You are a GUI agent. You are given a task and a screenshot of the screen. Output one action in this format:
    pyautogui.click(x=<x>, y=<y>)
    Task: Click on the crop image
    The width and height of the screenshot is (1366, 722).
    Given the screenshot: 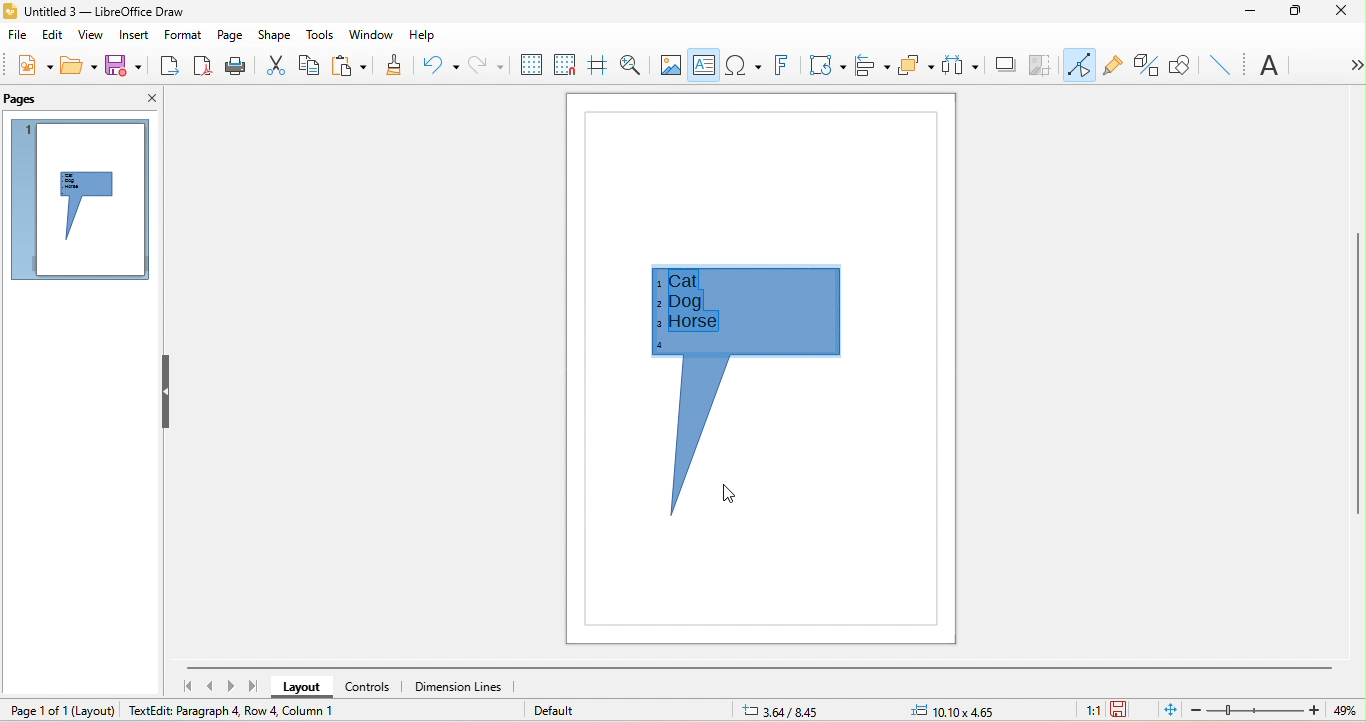 What is the action you would take?
    pyautogui.click(x=1042, y=66)
    